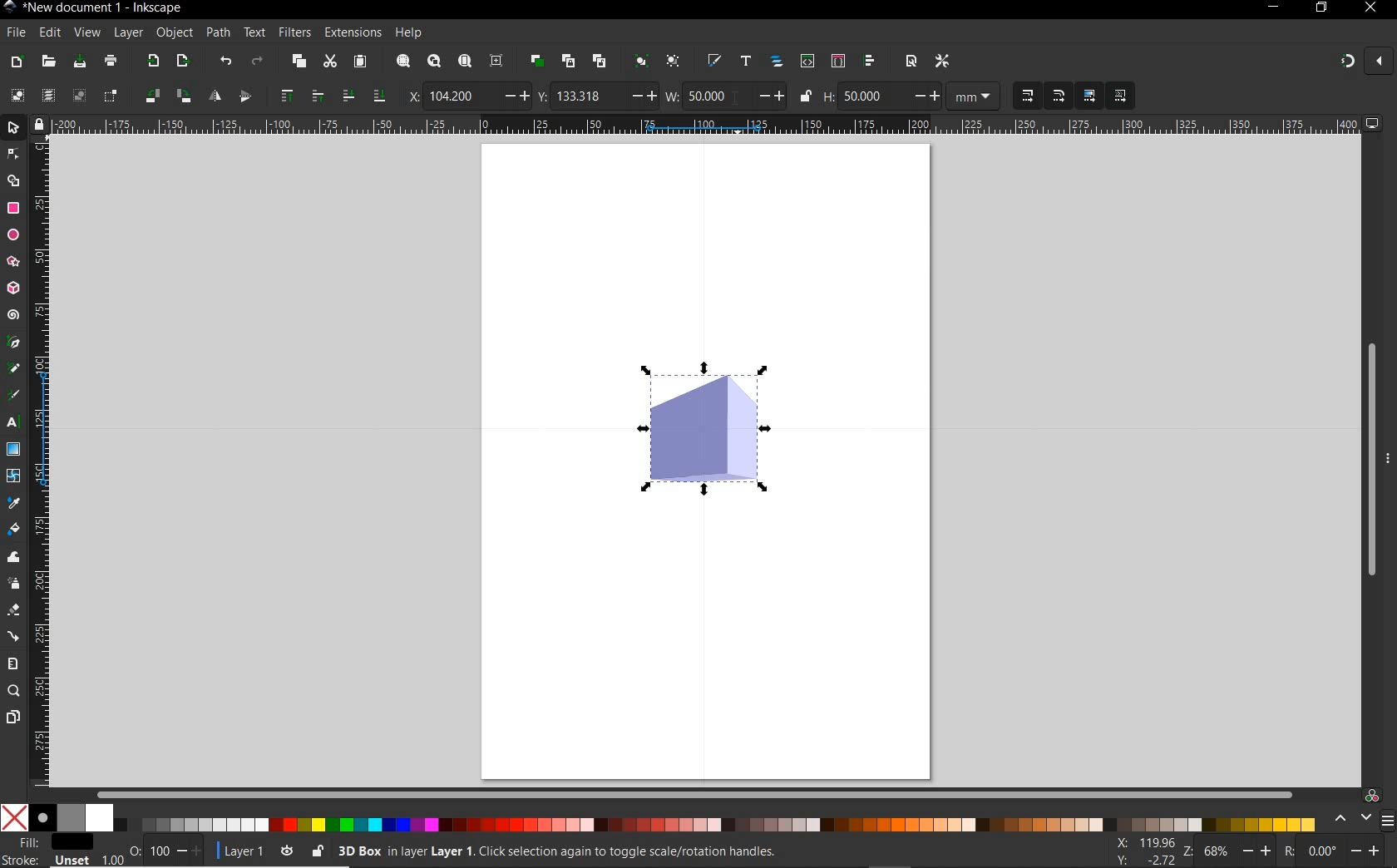  What do you see at coordinates (515, 96) in the screenshot?
I see `increase/decrease` at bounding box center [515, 96].